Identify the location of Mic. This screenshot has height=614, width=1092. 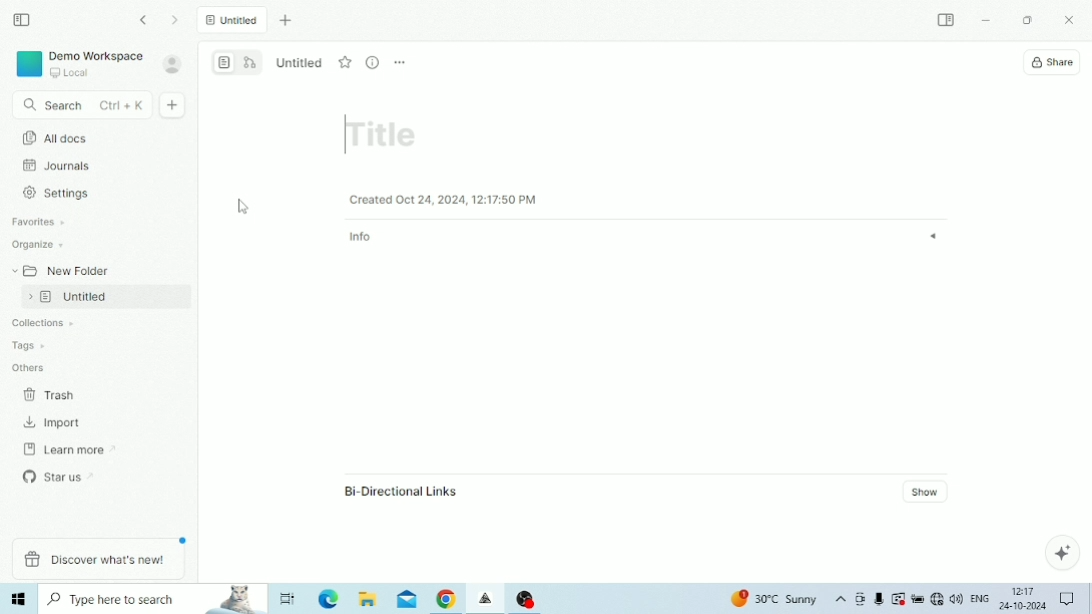
(878, 600).